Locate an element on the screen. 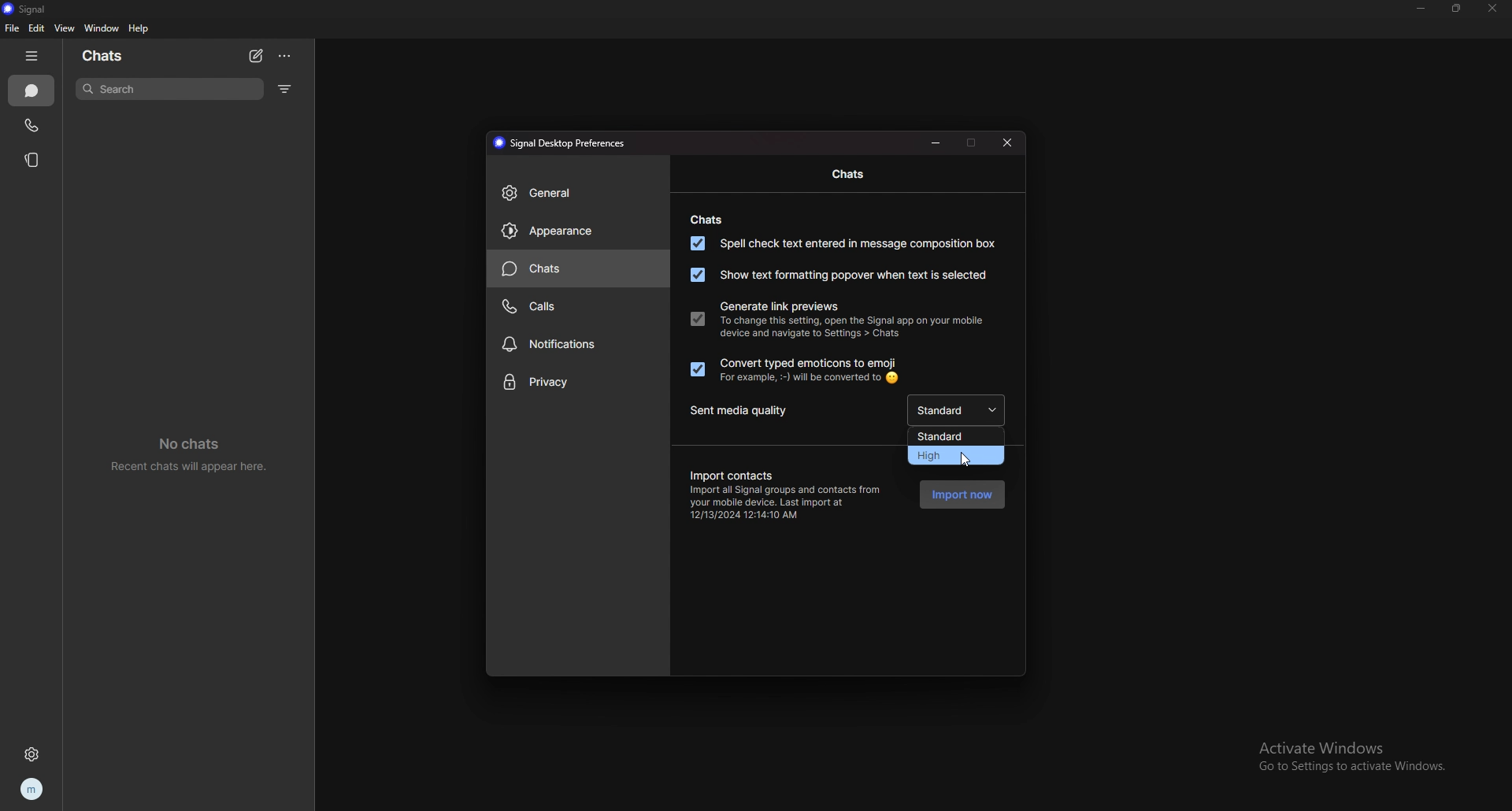 The height and width of the screenshot is (811, 1512). appearance is located at coordinates (578, 231).